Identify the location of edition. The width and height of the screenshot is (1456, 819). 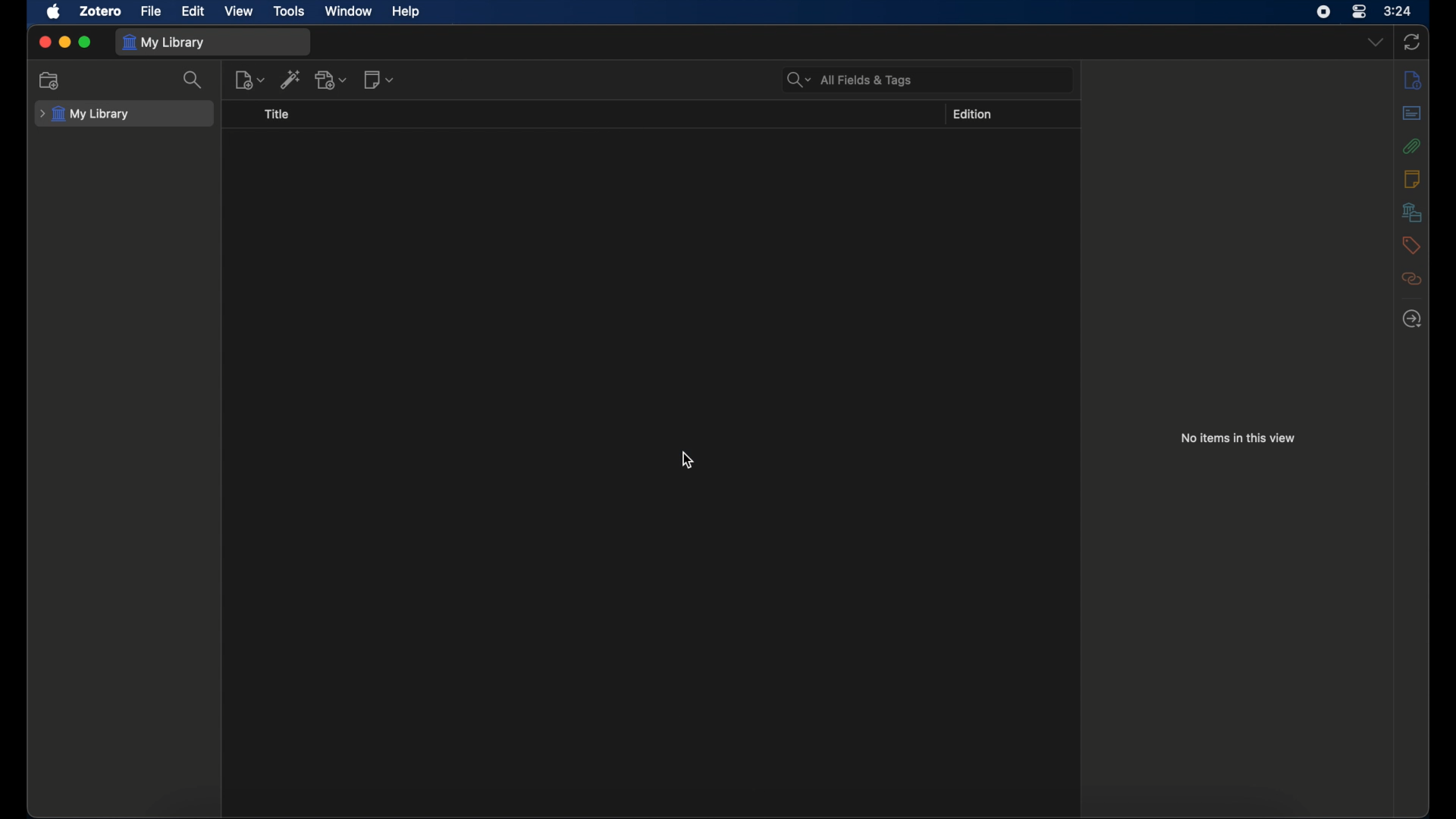
(972, 114).